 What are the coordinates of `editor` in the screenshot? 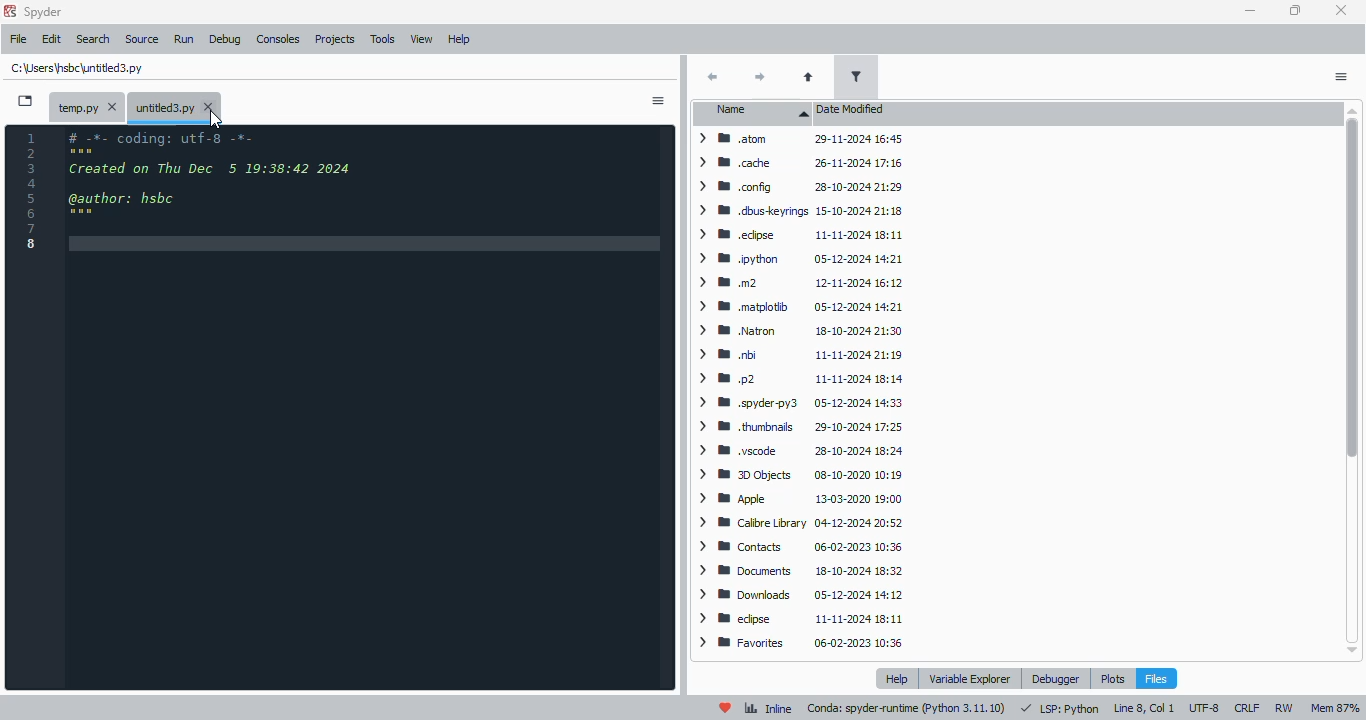 It's located at (366, 407).